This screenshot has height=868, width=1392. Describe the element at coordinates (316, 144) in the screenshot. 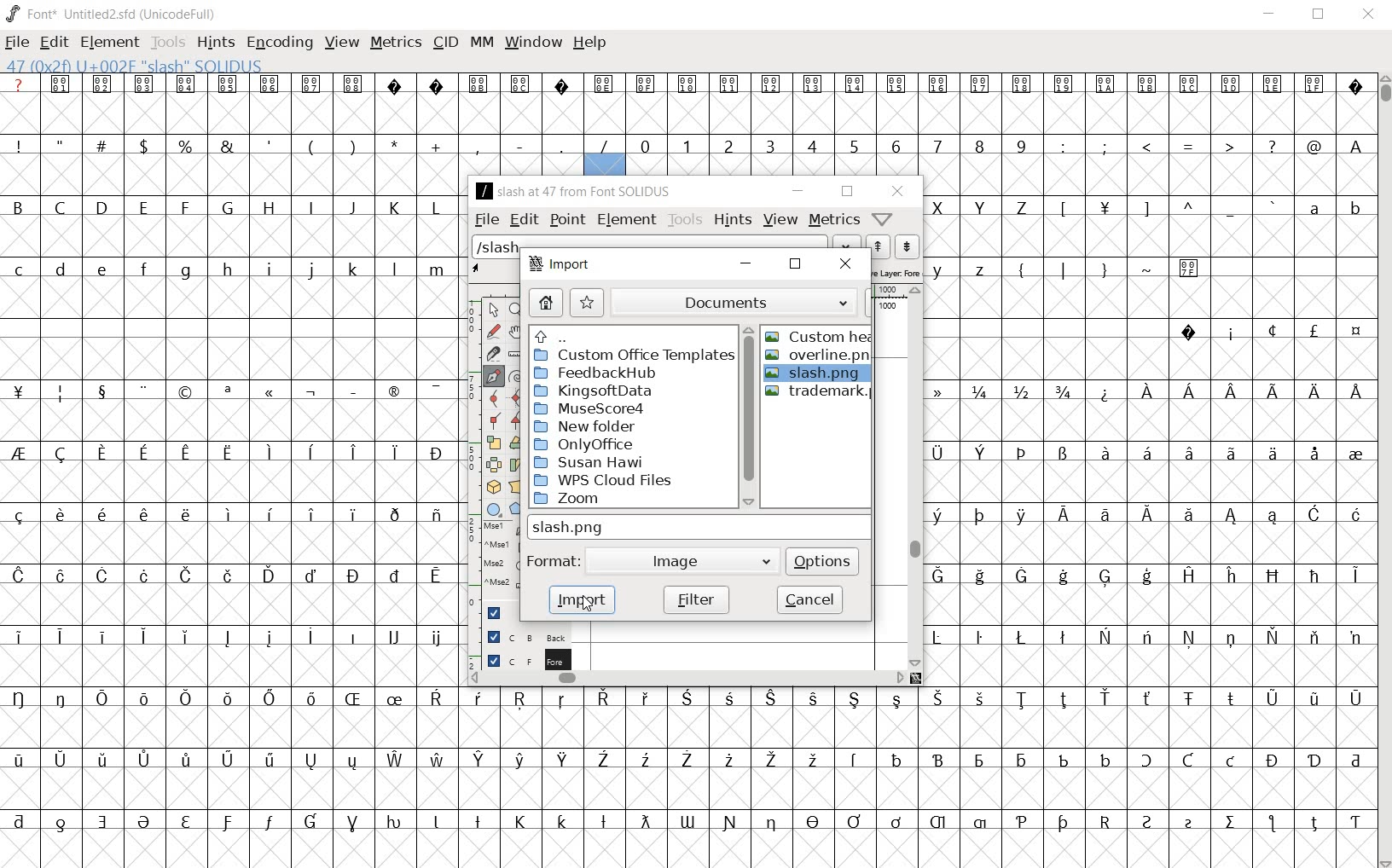

I see `symbols` at that location.